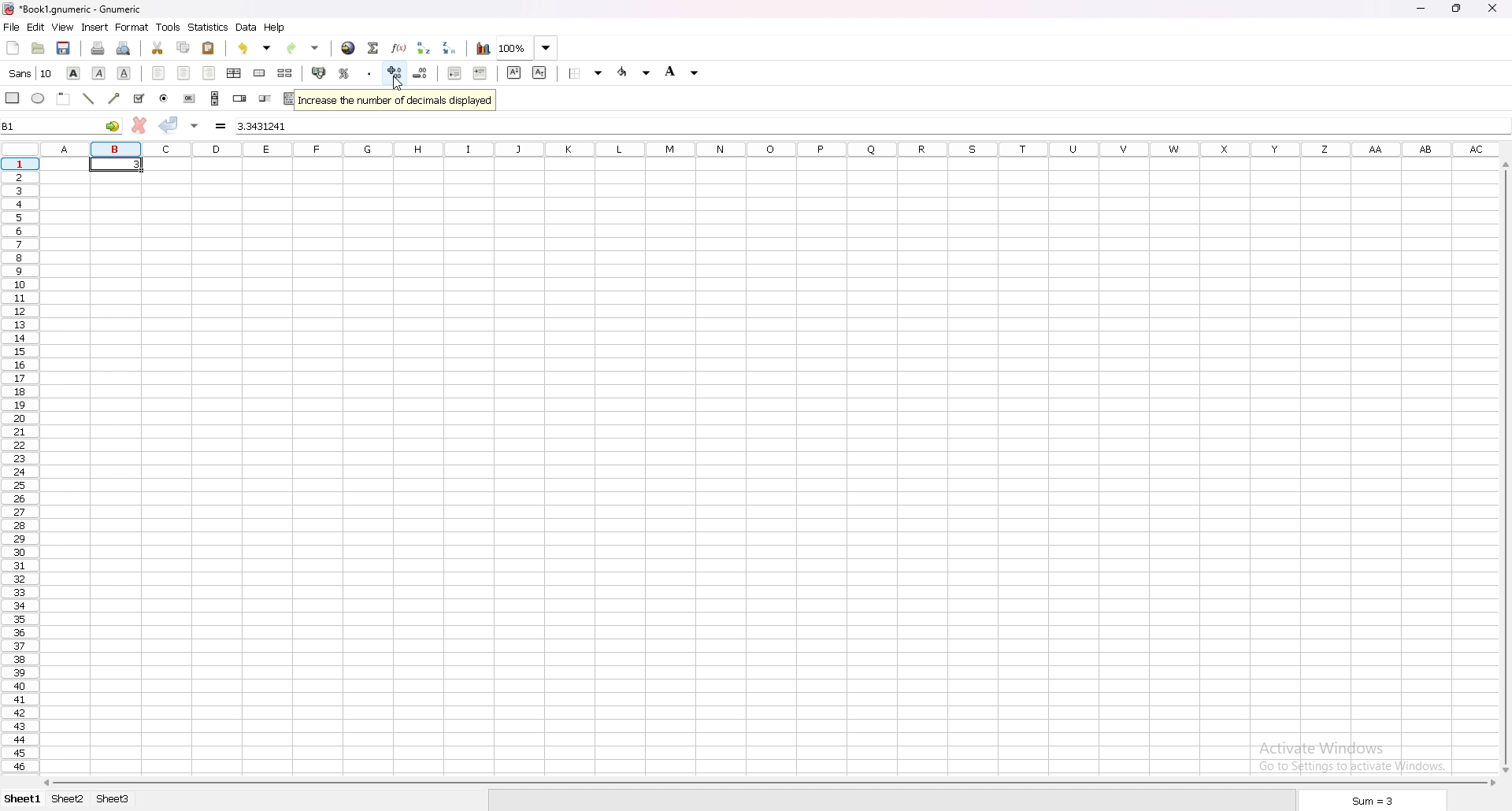  What do you see at coordinates (450, 49) in the screenshot?
I see `sort descending` at bounding box center [450, 49].